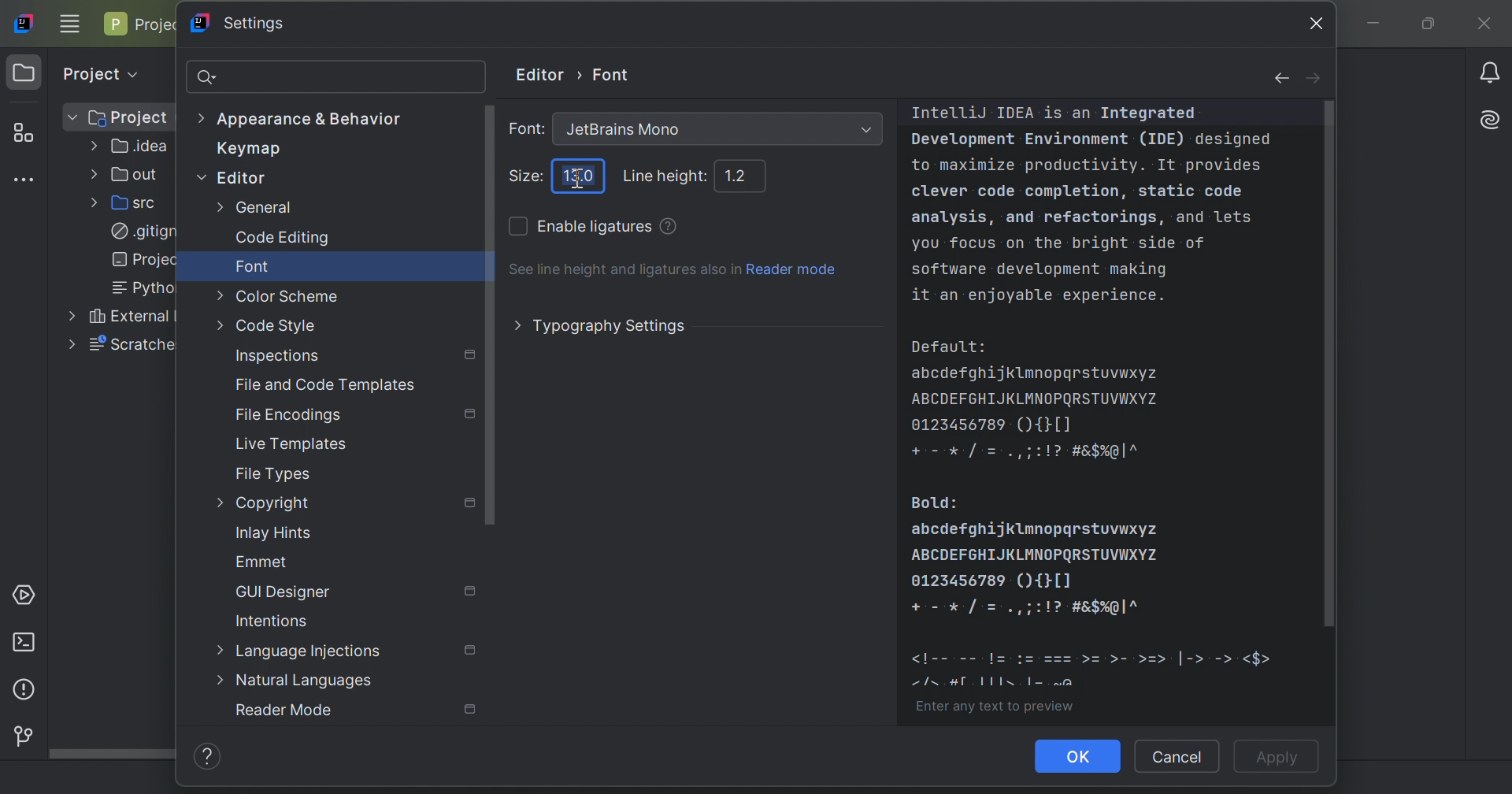  Describe the element at coordinates (472, 503) in the screenshot. I see `Settings marked with this icon are only applied to the current project. Non-marked settings are applied to all projects.` at that location.